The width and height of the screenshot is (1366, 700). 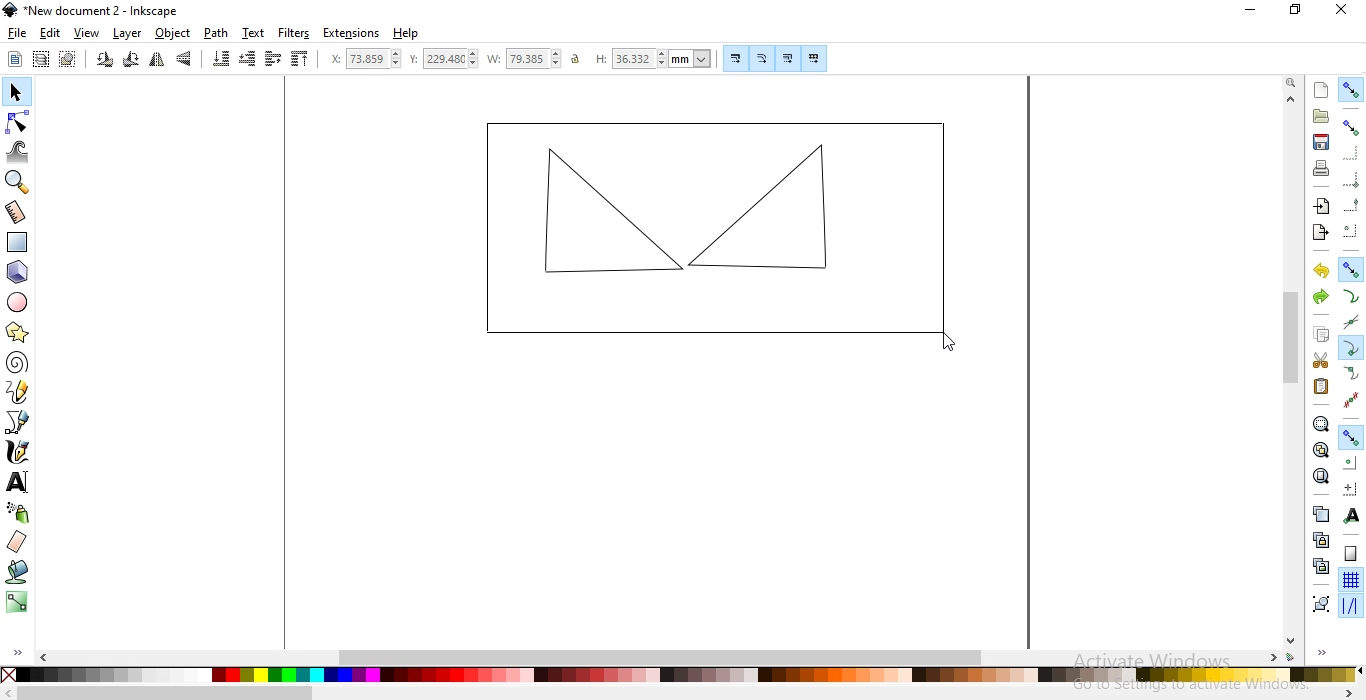 I want to click on measurement tool , so click(x=16, y=212).